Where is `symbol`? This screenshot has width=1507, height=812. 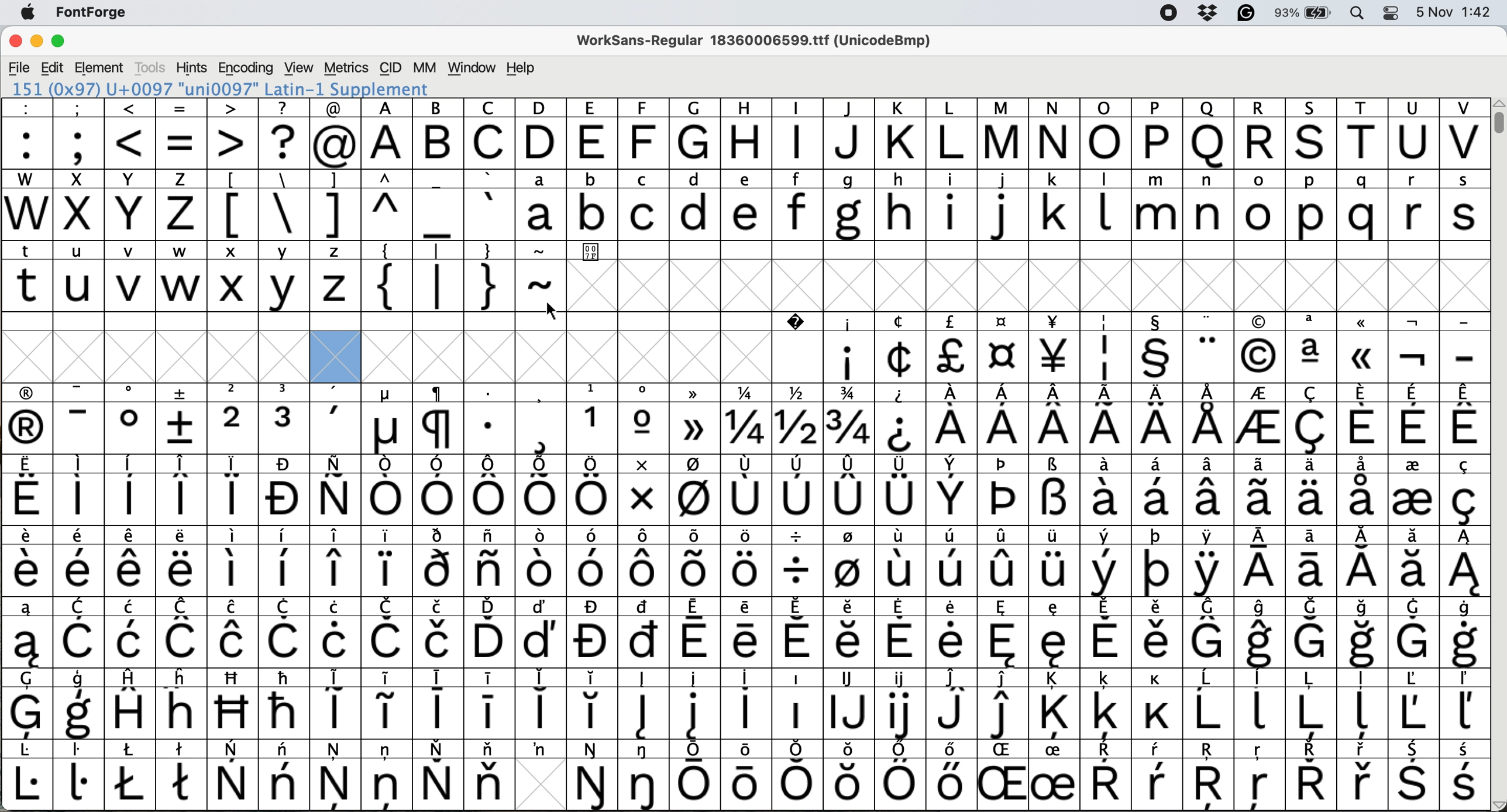 symbol is located at coordinates (1364, 776).